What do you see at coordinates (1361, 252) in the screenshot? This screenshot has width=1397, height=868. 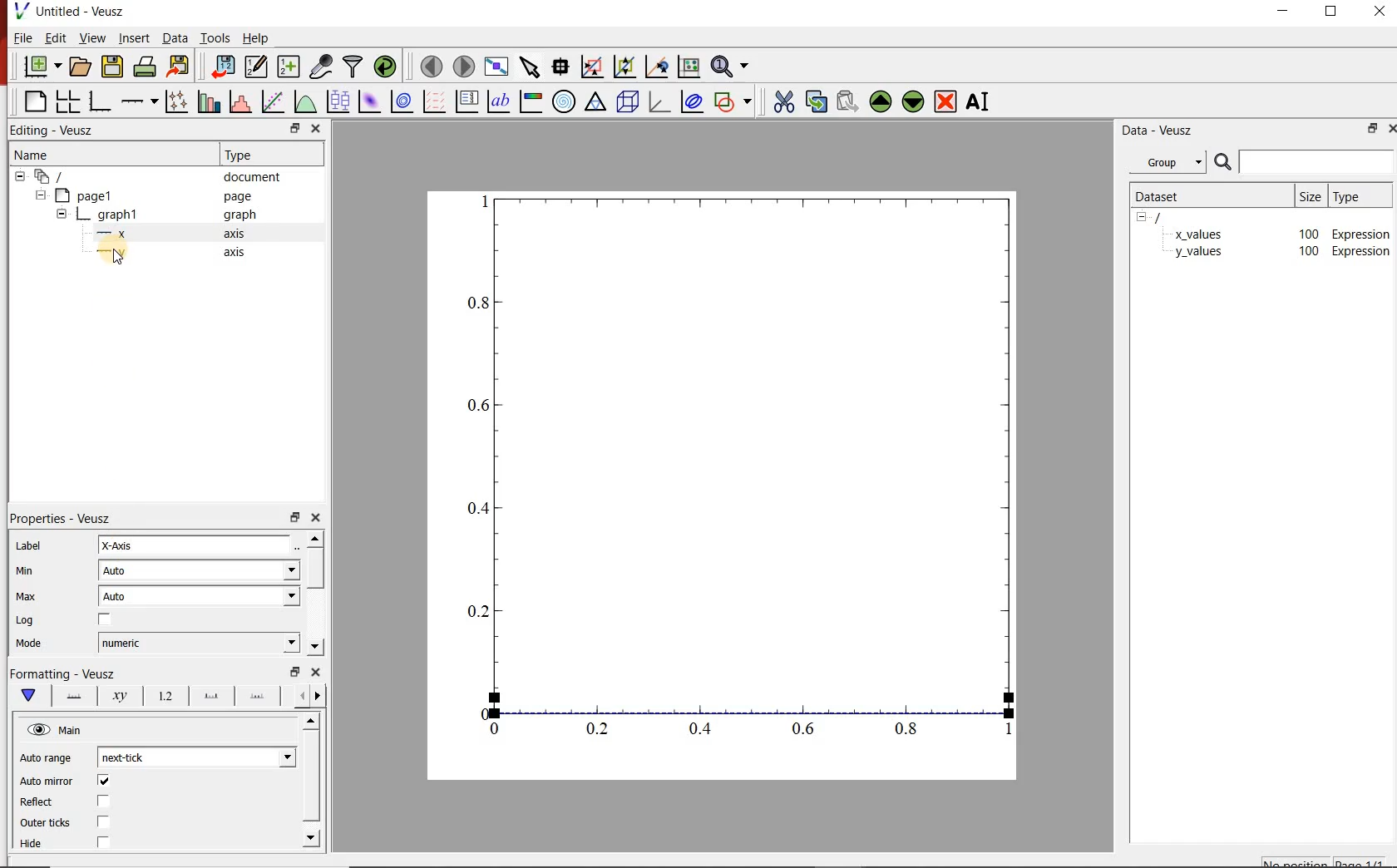 I see `Expression` at bounding box center [1361, 252].